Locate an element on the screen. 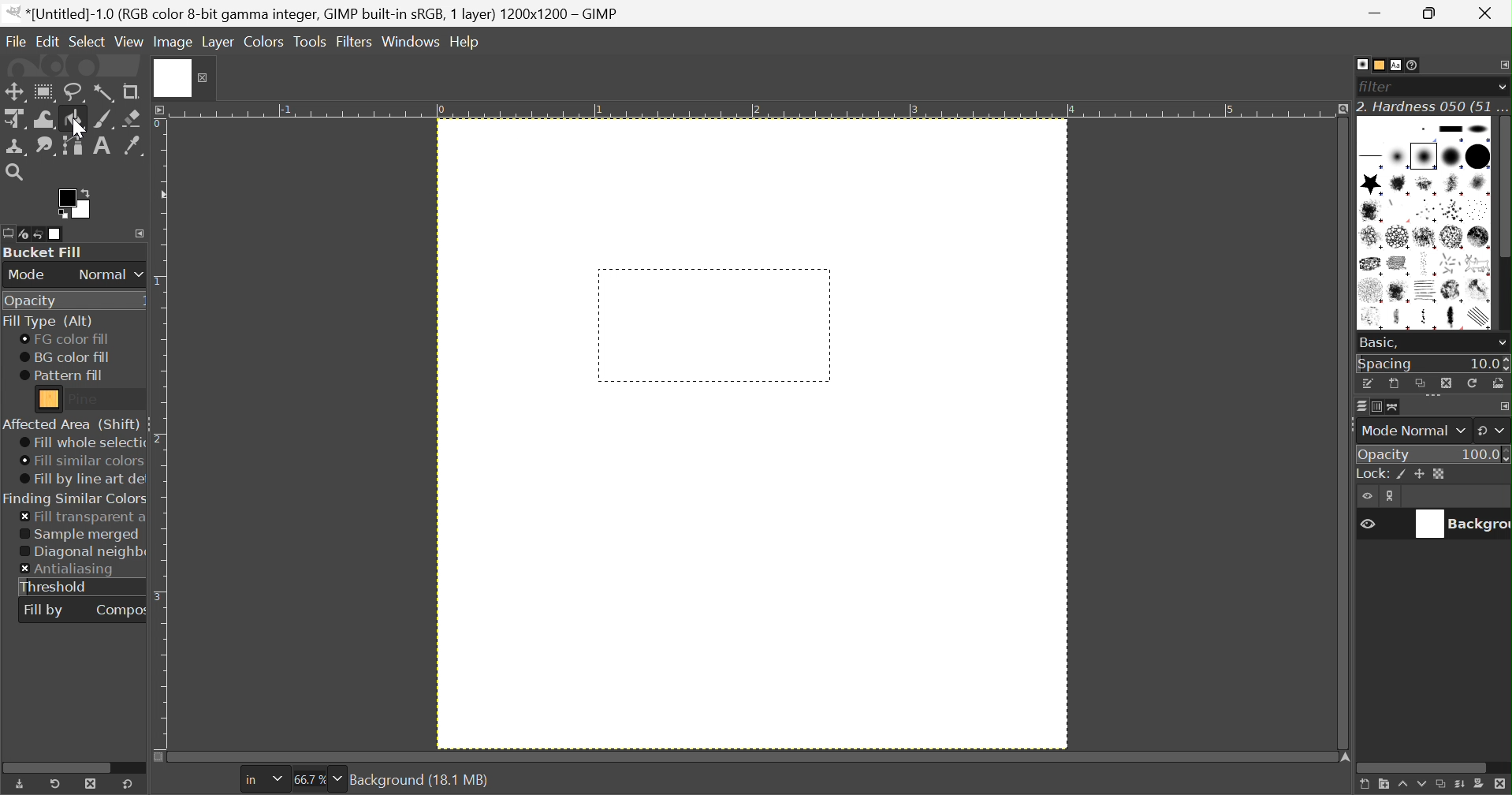 This screenshot has width=1512, height=795. Pattern fill is located at coordinates (61, 375).